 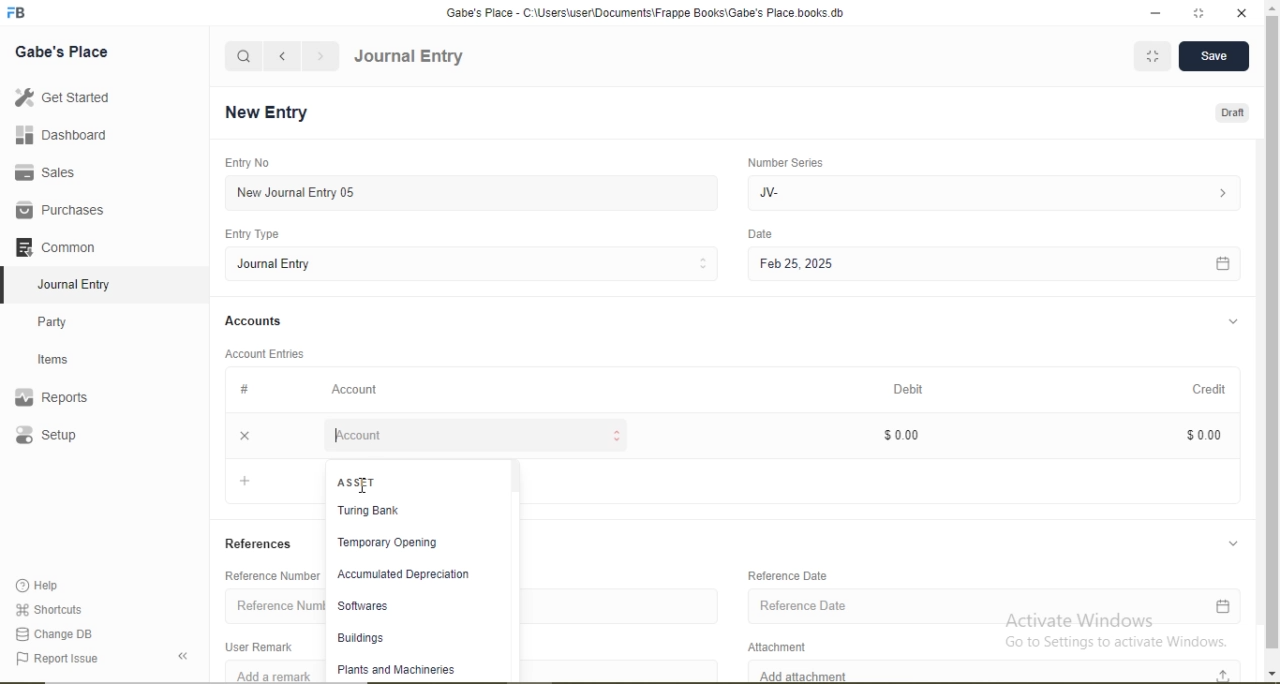 I want to click on Entry Type, so click(x=254, y=234).